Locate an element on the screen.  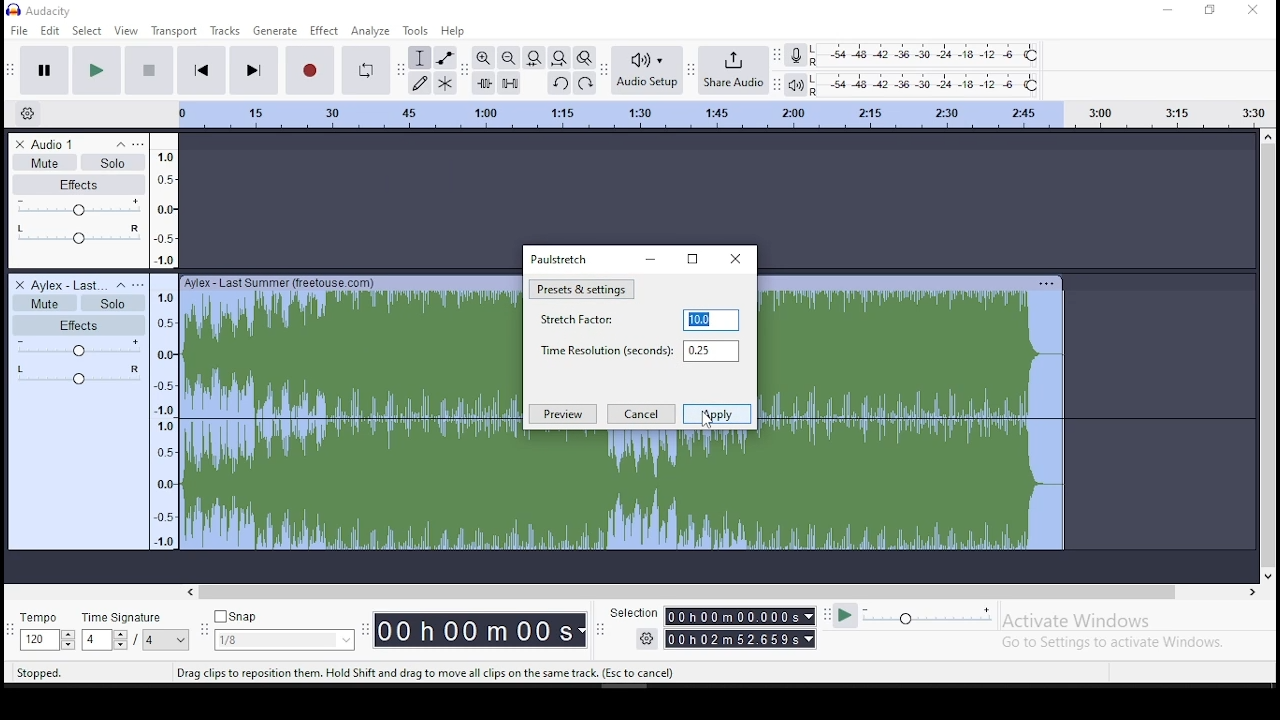
timer is located at coordinates (480, 627).